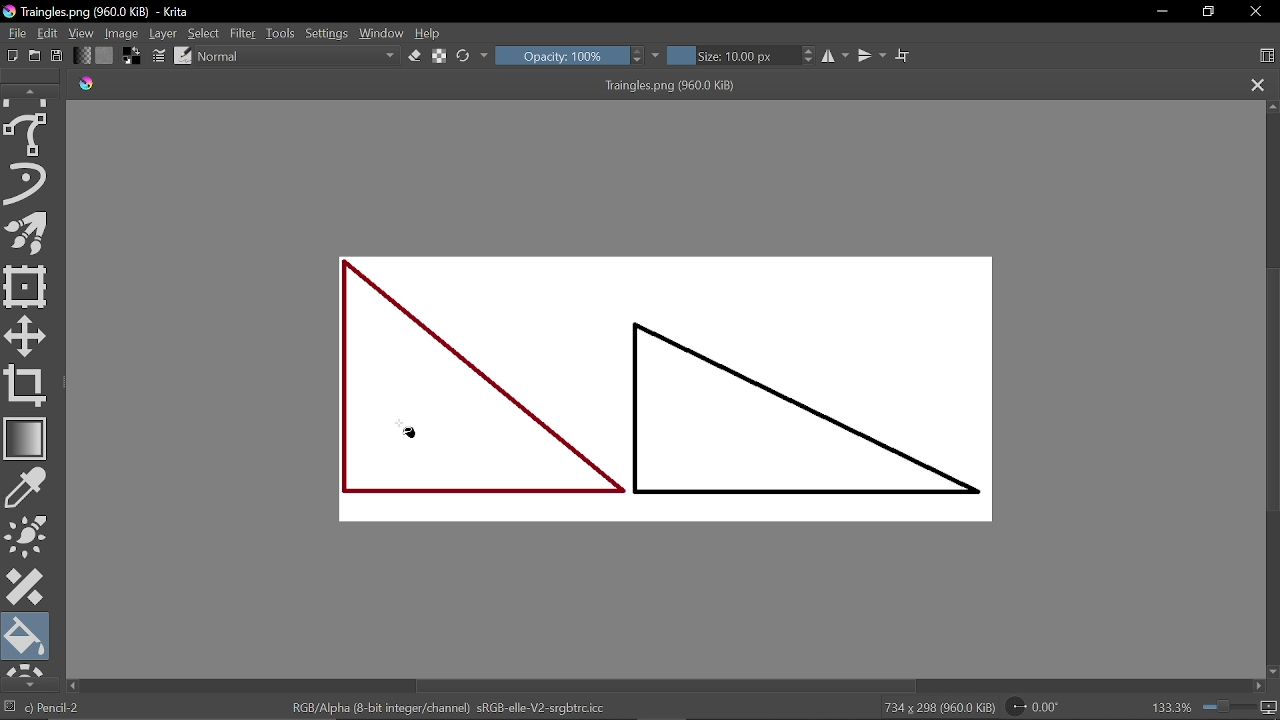  Describe the element at coordinates (570, 57) in the screenshot. I see `Opacity: 100%` at that location.